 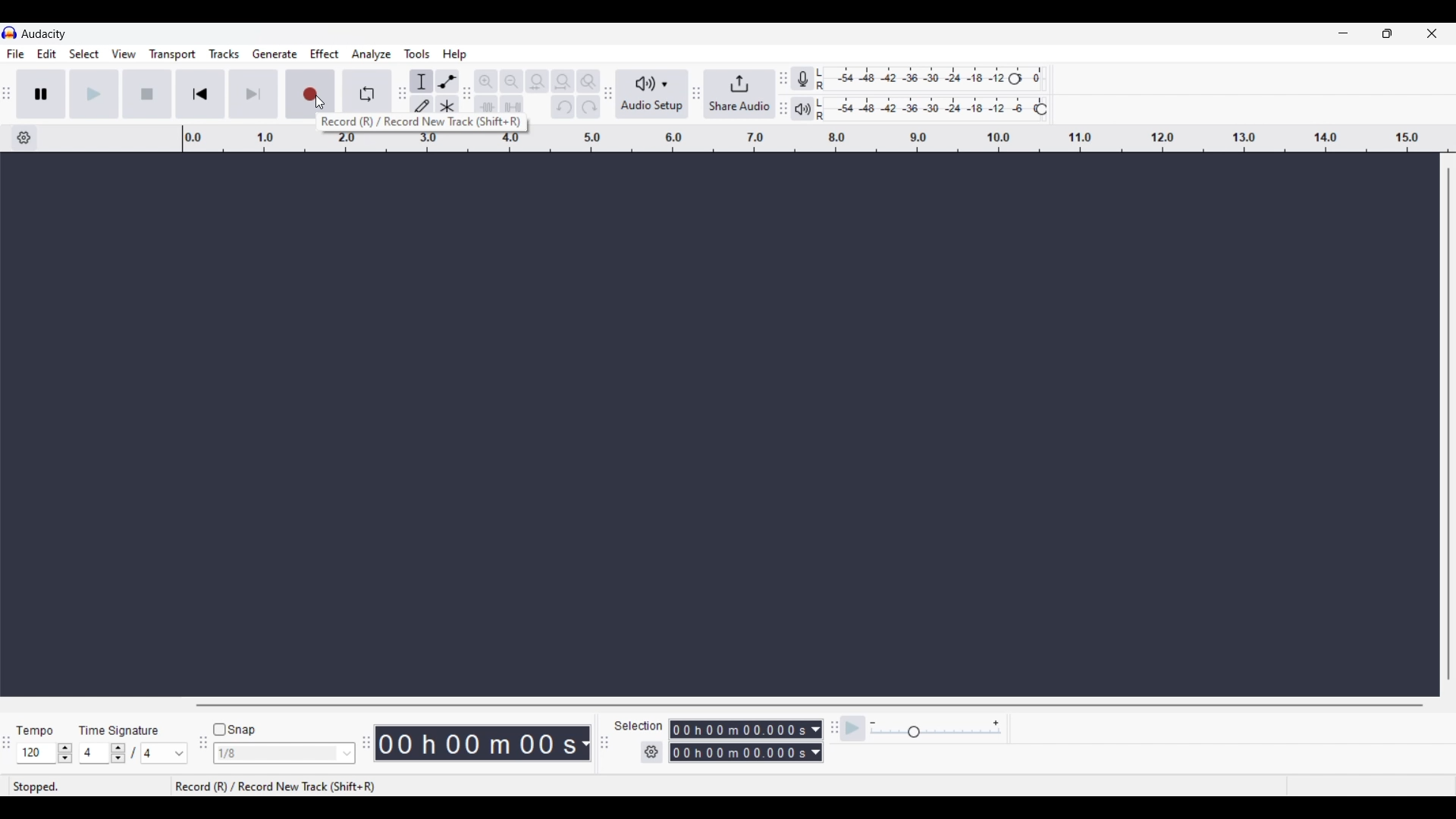 What do you see at coordinates (447, 107) in the screenshot?
I see `Multi-tool` at bounding box center [447, 107].